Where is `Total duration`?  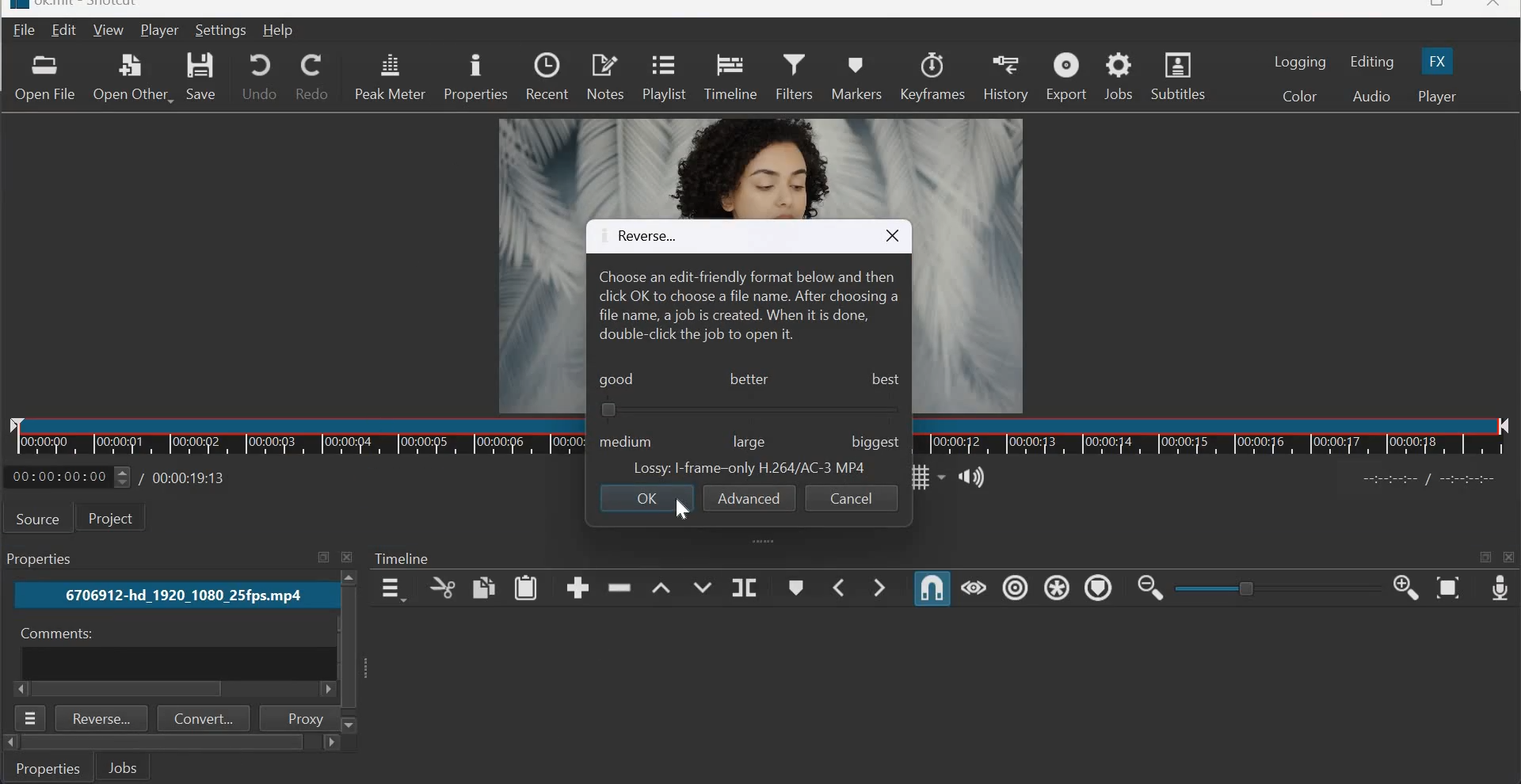
Total duration is located at coordinates (191, 478).